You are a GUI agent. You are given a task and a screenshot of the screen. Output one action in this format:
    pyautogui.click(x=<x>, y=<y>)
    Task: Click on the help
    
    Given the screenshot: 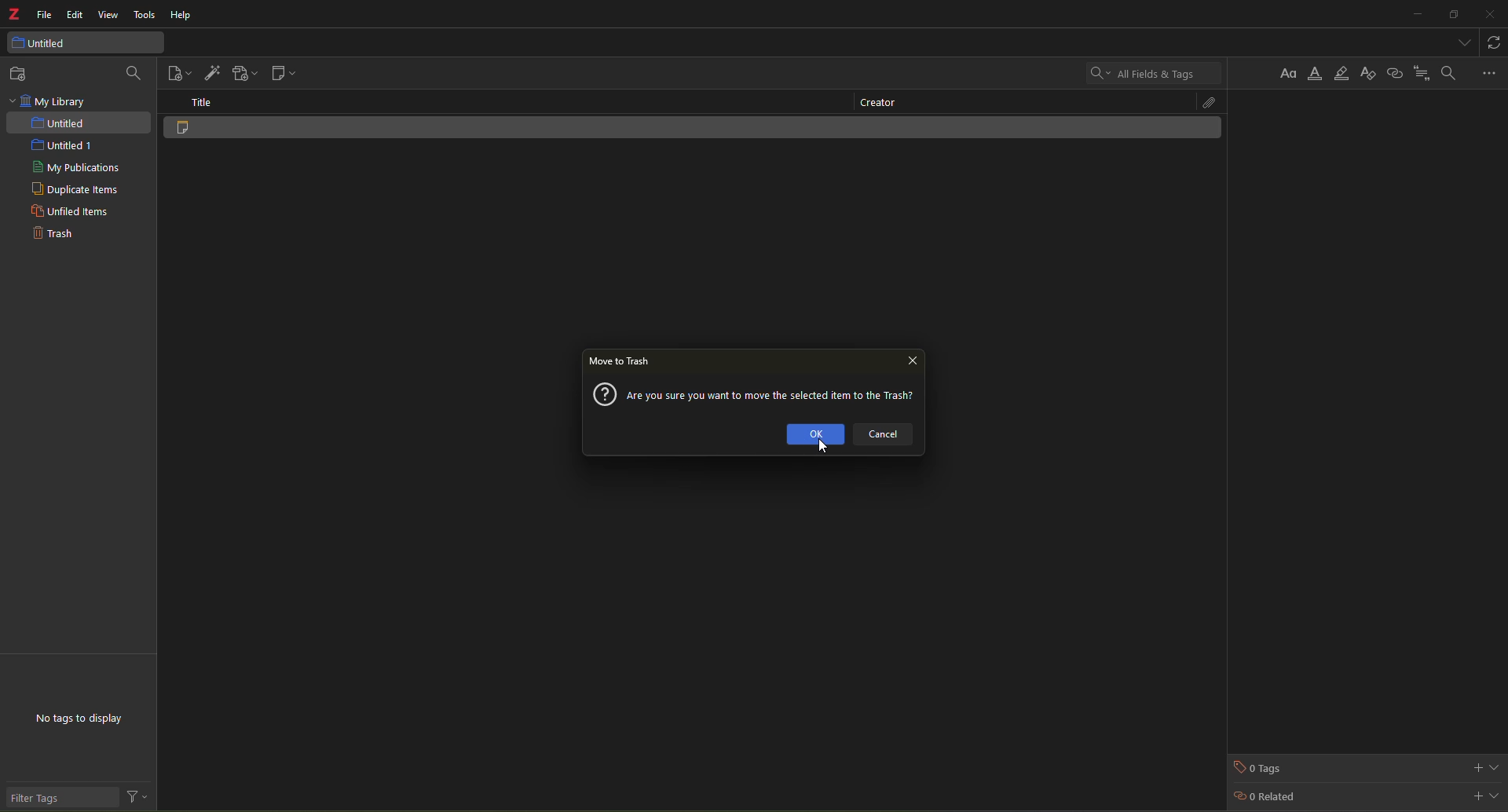 What is the action you would take?
    pyautogui.click(x=183, y=17)
    